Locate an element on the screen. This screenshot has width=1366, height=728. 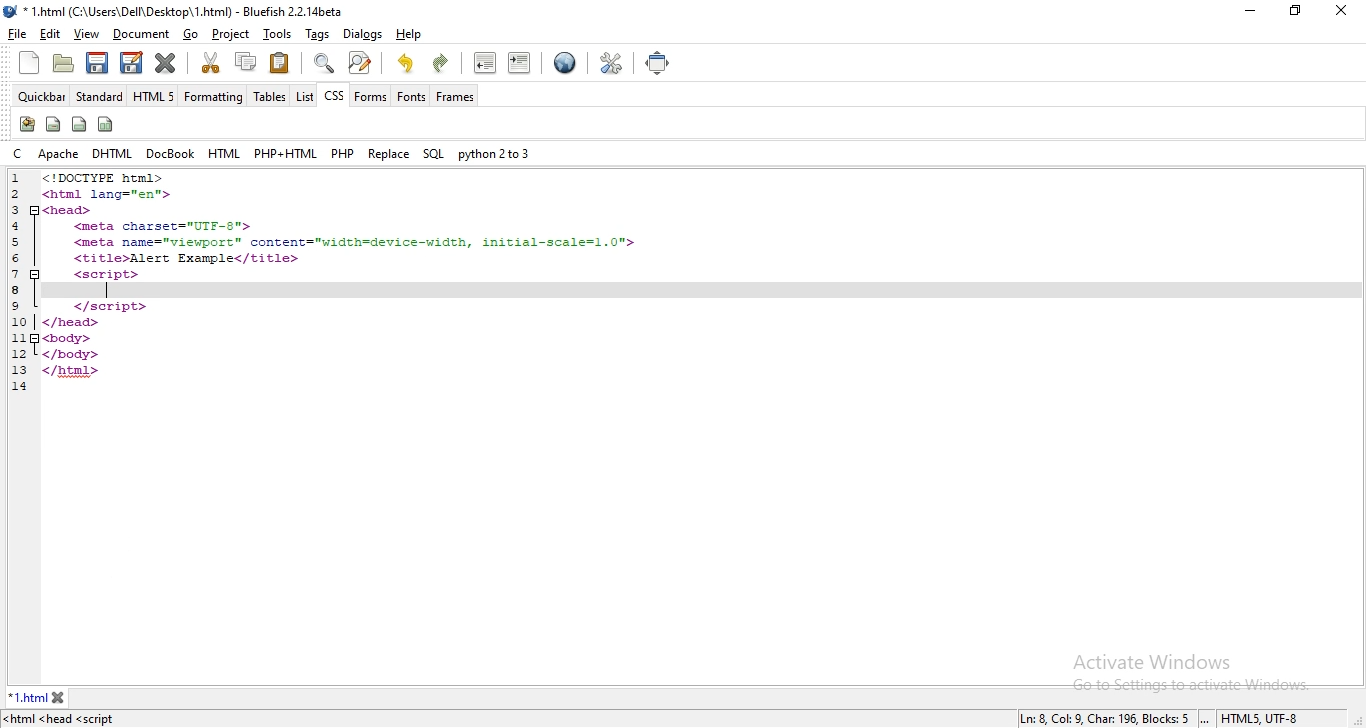
<title>Alert Example</title> is located at coordinates (186, 258).